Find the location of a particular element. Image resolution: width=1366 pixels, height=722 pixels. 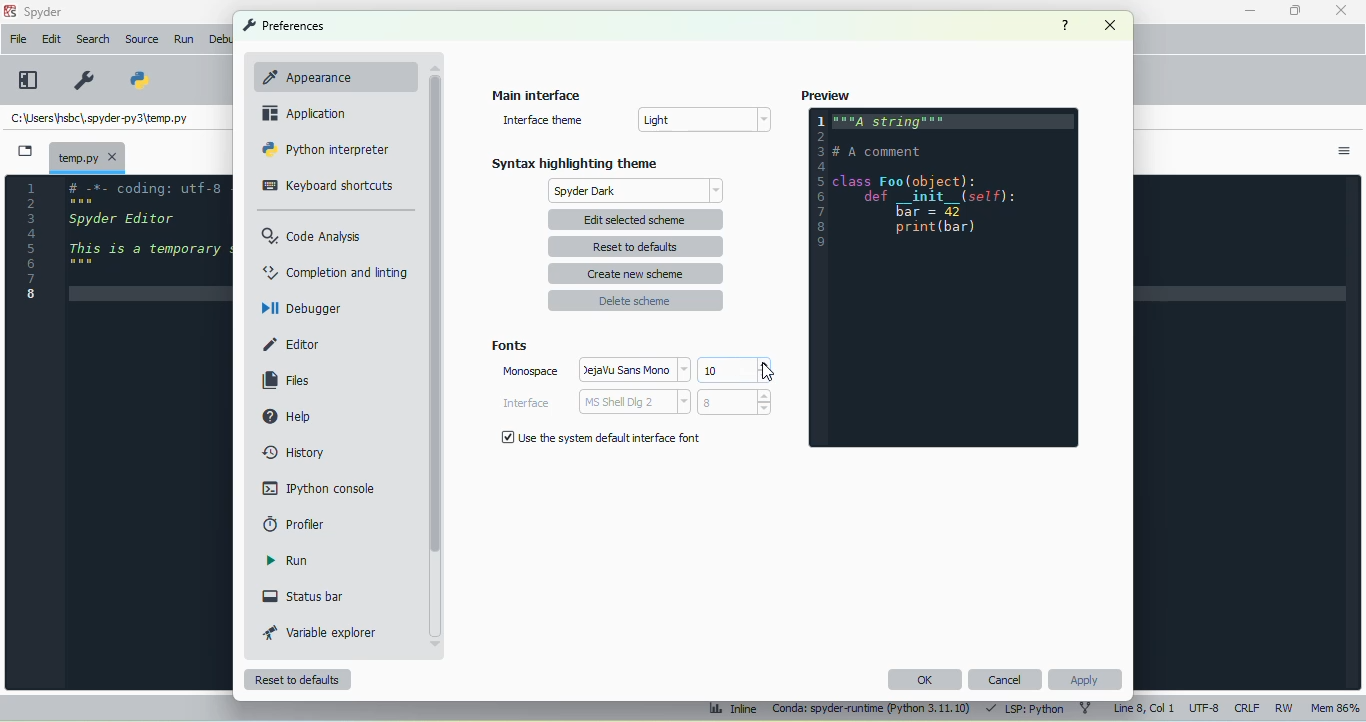

close is located at coordinates (1340, 9).